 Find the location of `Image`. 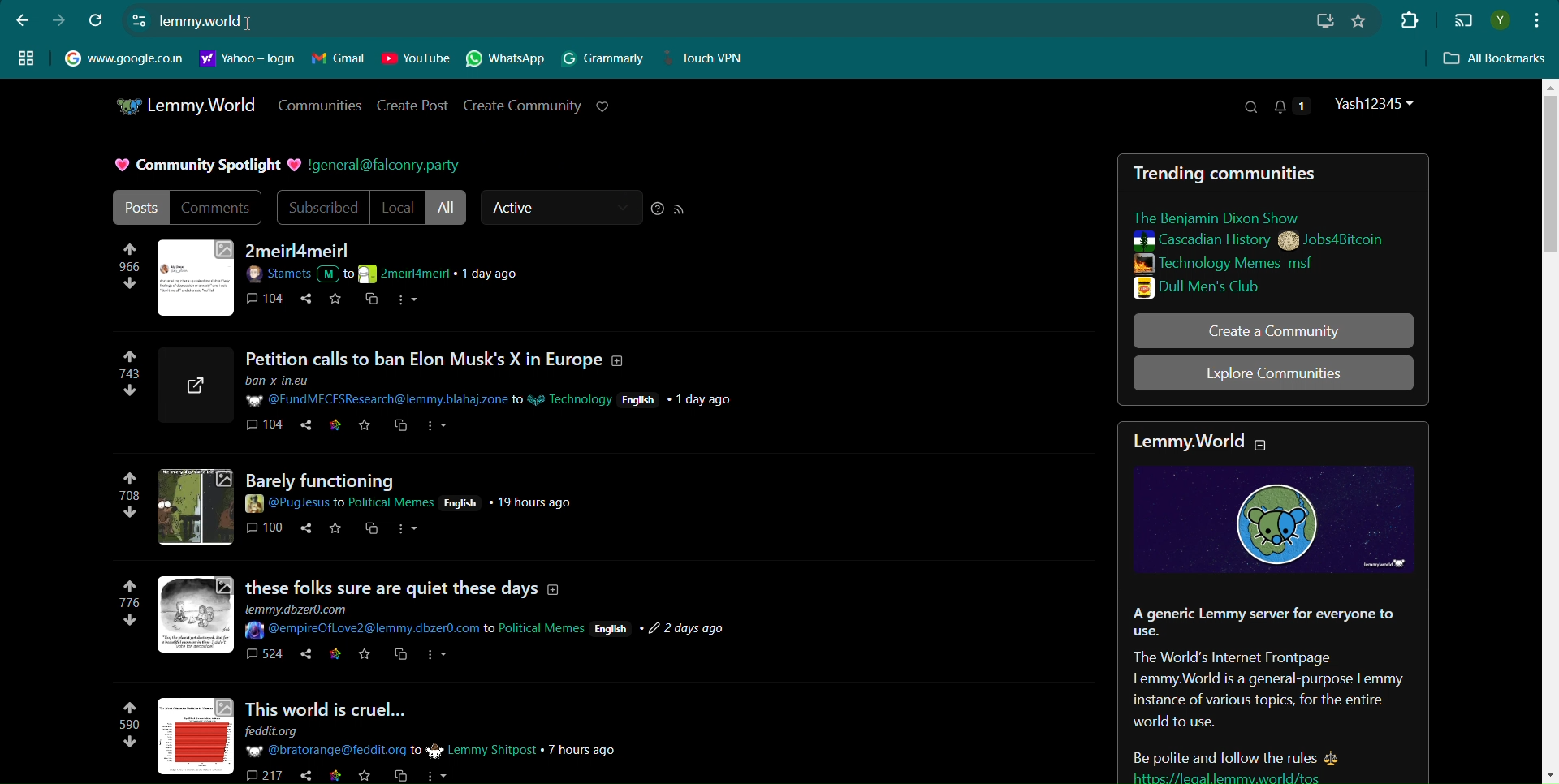

Image is located at coordinates (196, 276).